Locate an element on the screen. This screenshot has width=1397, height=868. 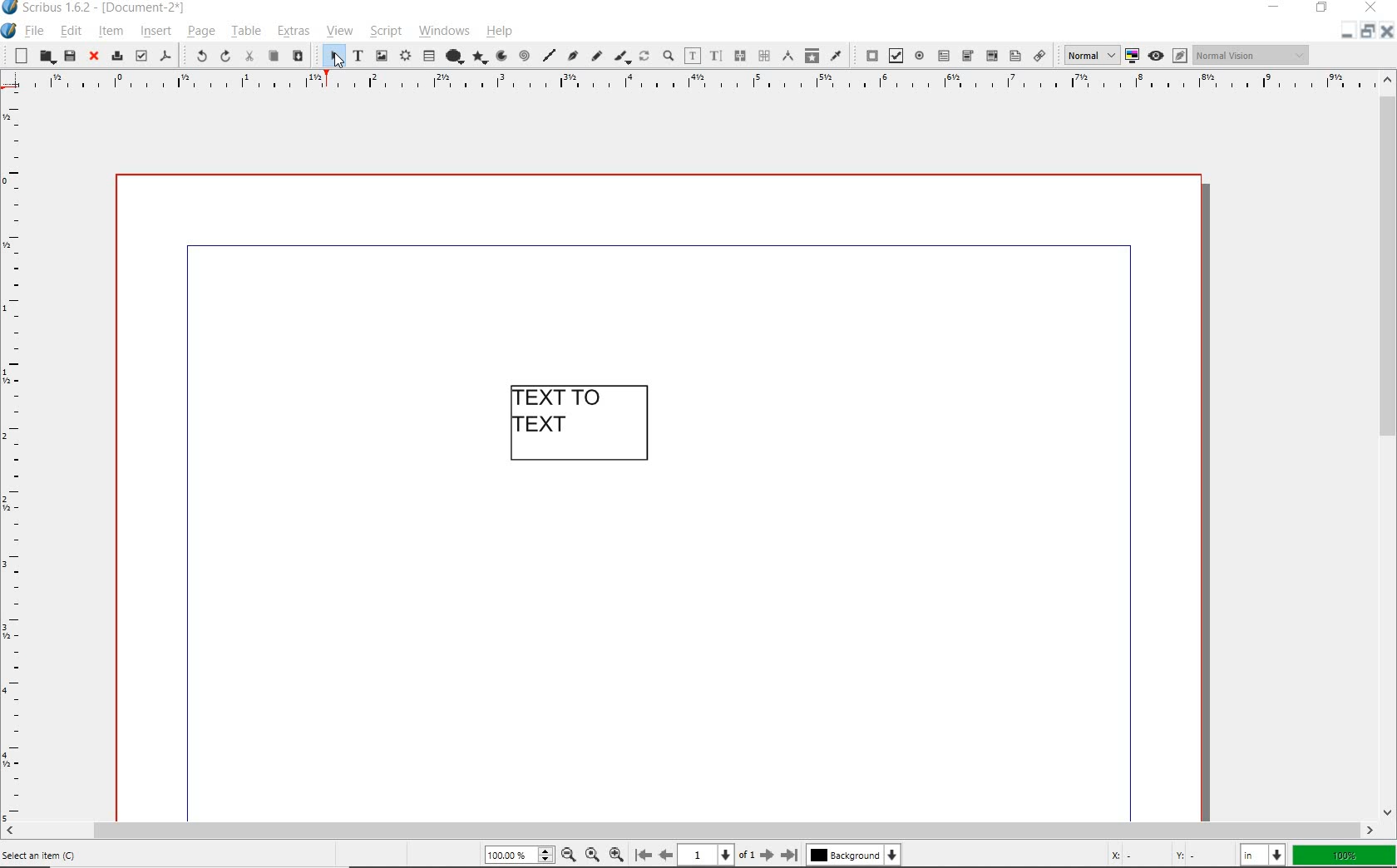
toggle color is located at coordinates (1134, 55).